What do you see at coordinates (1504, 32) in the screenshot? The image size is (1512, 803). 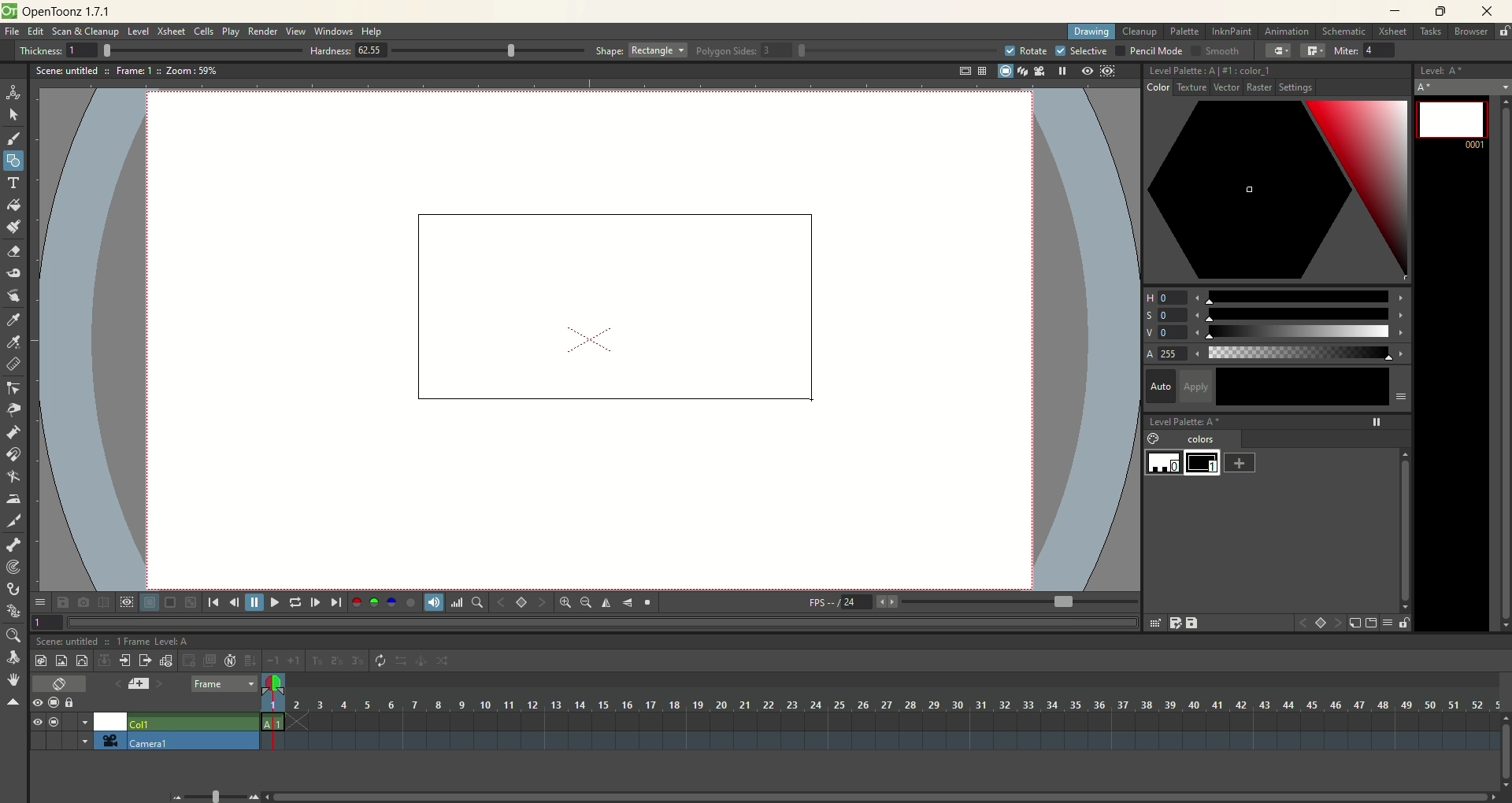 I see `unlock` at bounding box center [1504, 32].